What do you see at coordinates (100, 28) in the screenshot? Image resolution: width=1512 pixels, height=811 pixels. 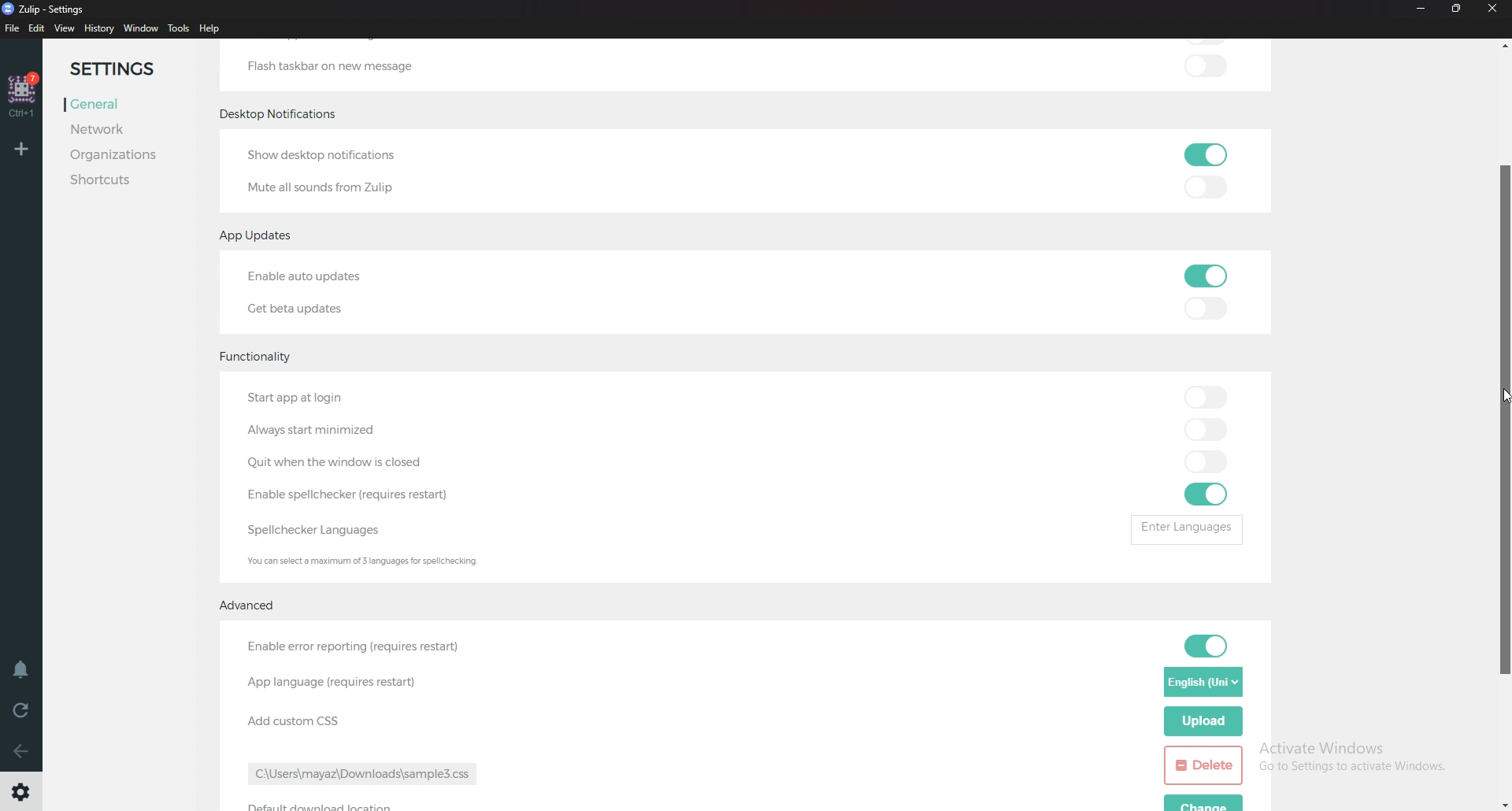 I see `History` at bounding box center [100, 28].